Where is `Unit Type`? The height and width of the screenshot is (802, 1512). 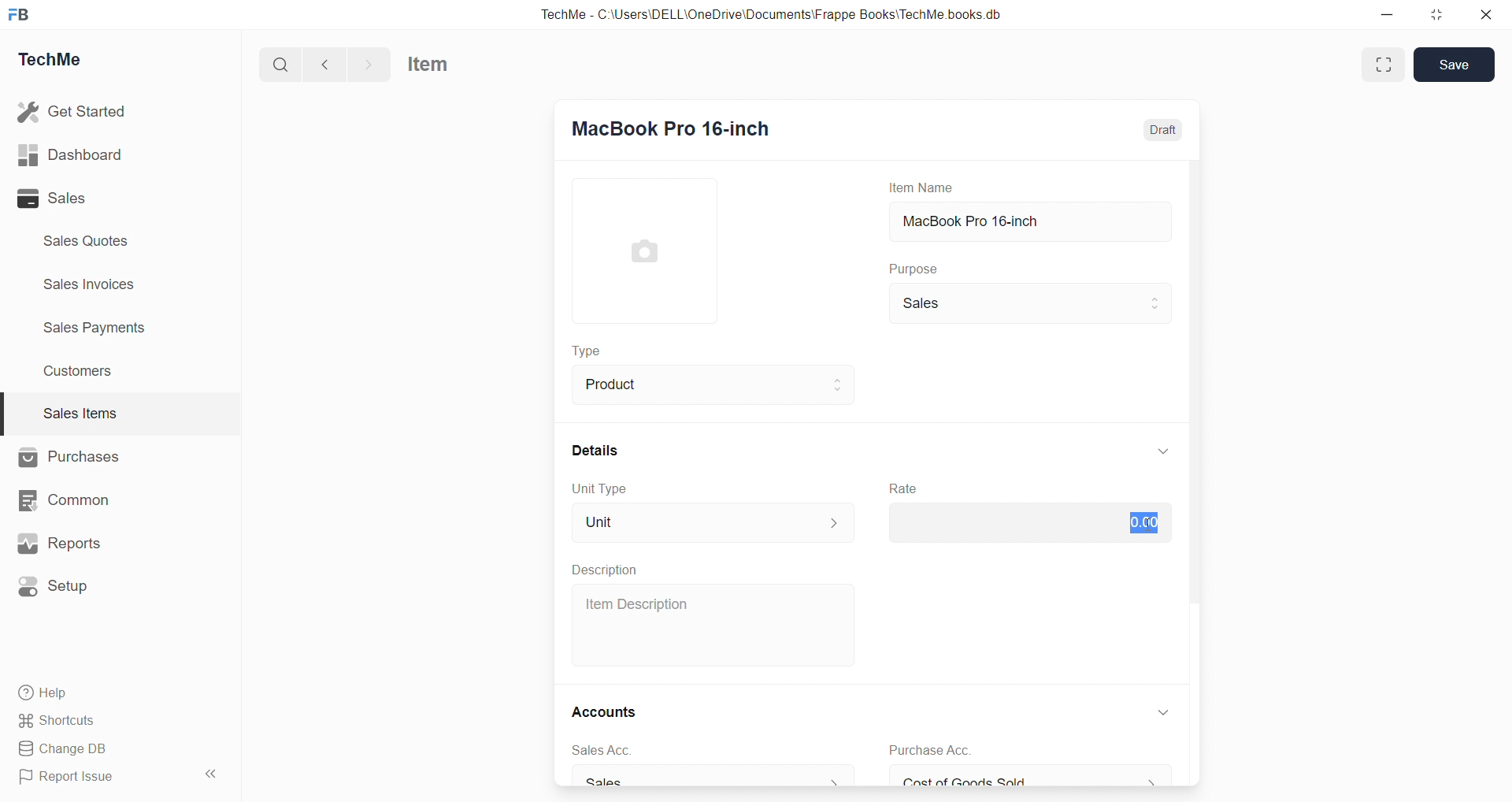
Unit Type is located at coordinates (600, 490).